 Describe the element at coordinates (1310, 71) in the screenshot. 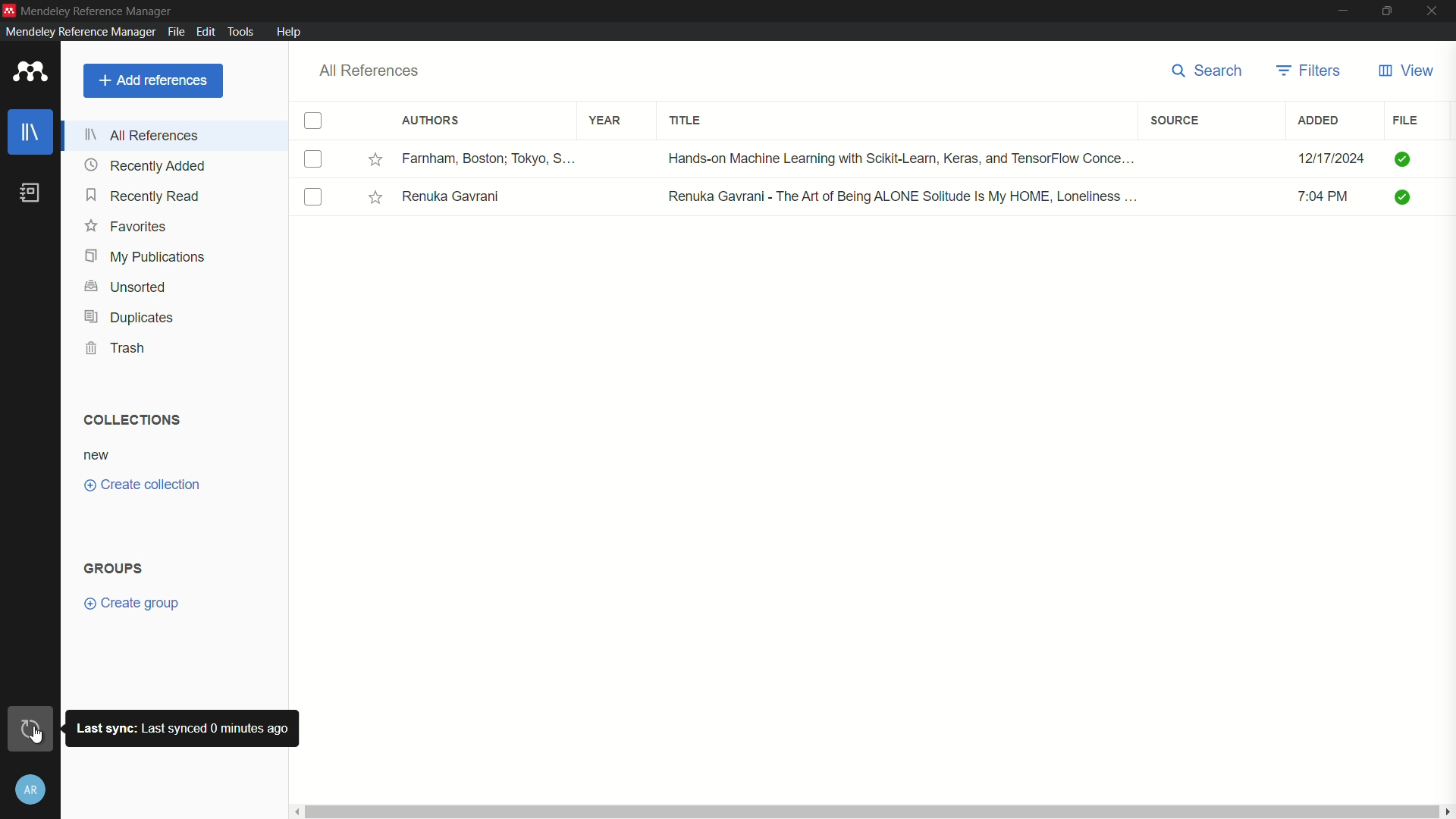

I see `filters` at that location.